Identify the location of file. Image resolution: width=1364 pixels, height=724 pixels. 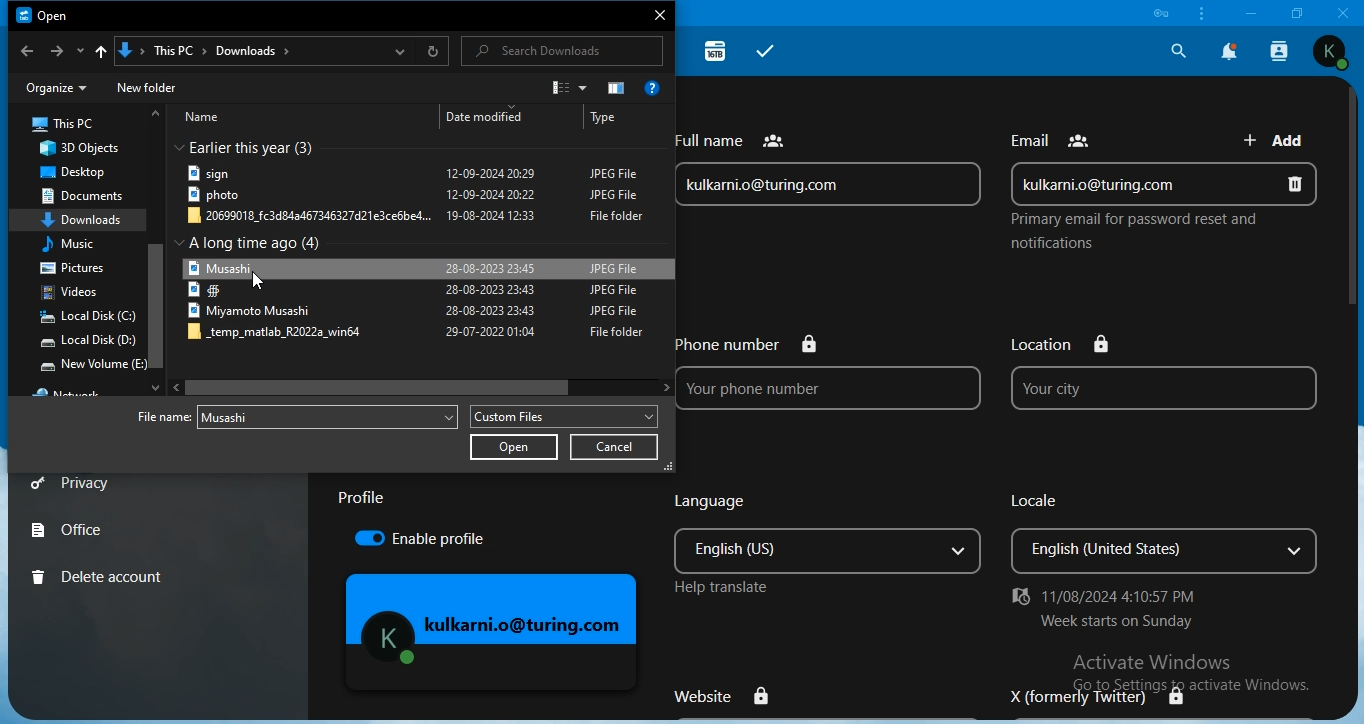
(413, 175).